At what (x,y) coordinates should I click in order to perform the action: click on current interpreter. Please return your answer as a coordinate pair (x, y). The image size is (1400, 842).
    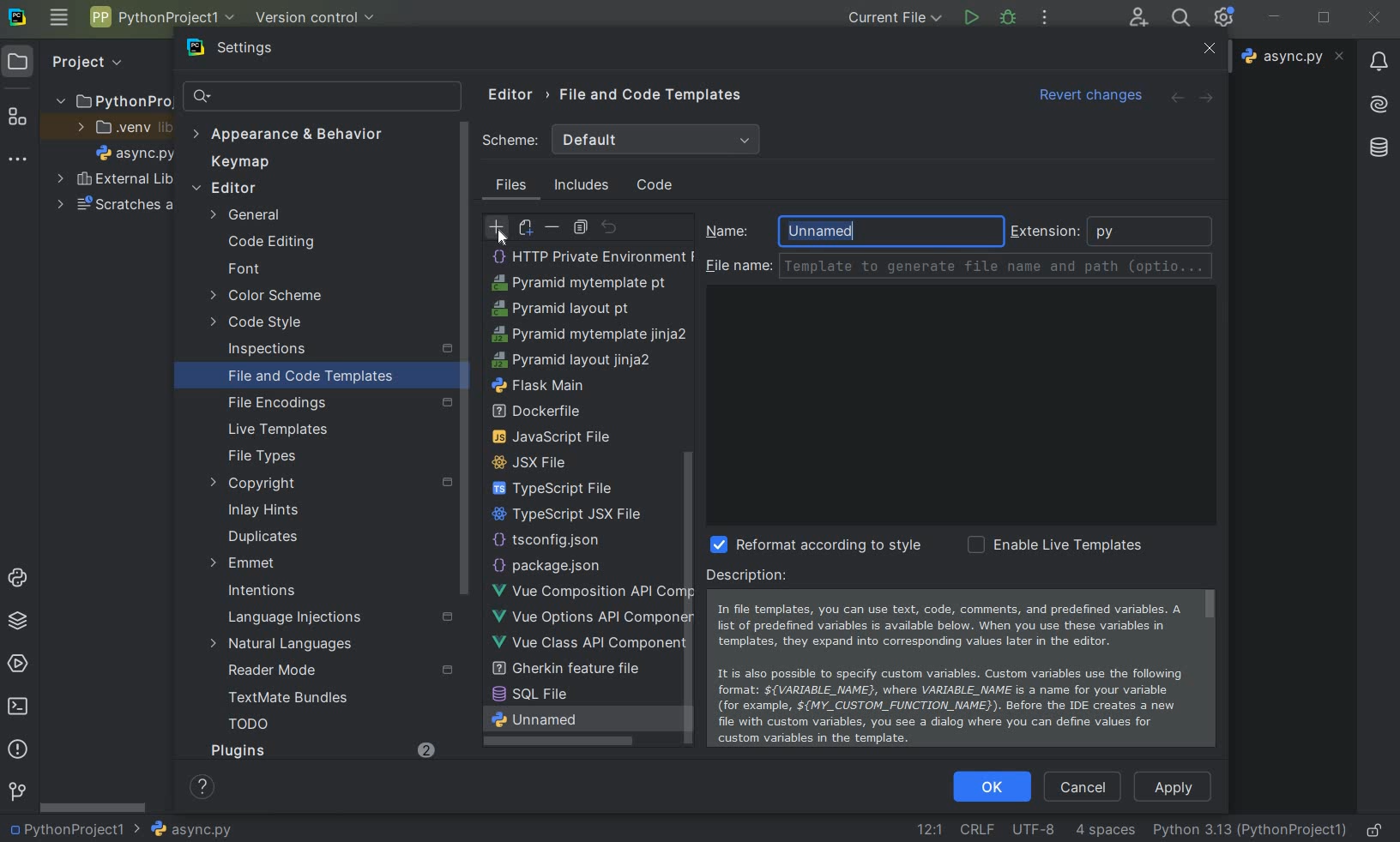
    Looking at the image, I should click on (1252, 831).